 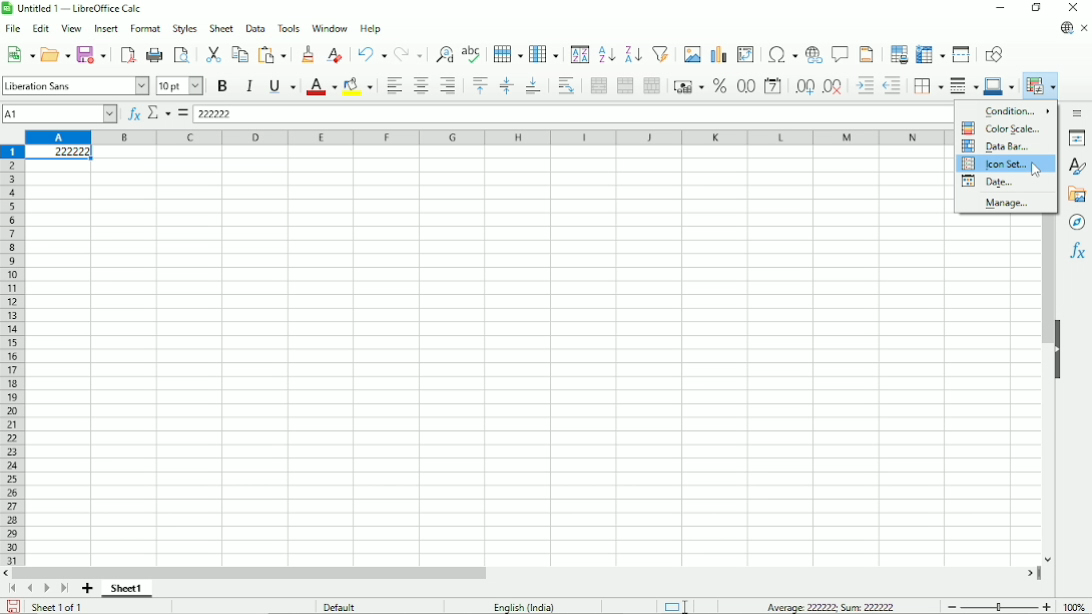 I want to click on Zoom in, so click(x=1046, y=606).